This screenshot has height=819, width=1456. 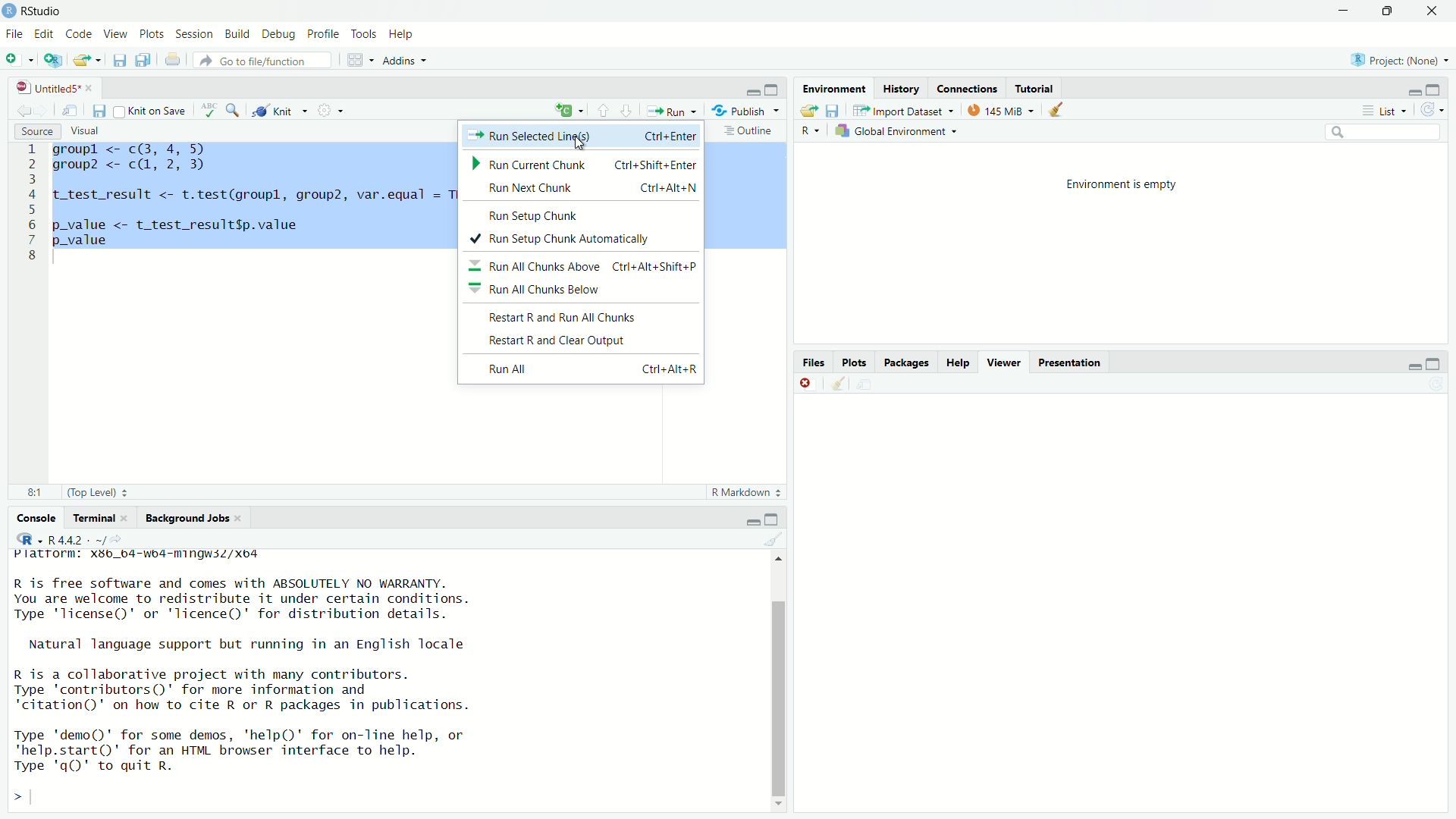 What do you see at coordinates (277, 32) in the screenshot?
I see `Debug` at bounding box center [277, 32].